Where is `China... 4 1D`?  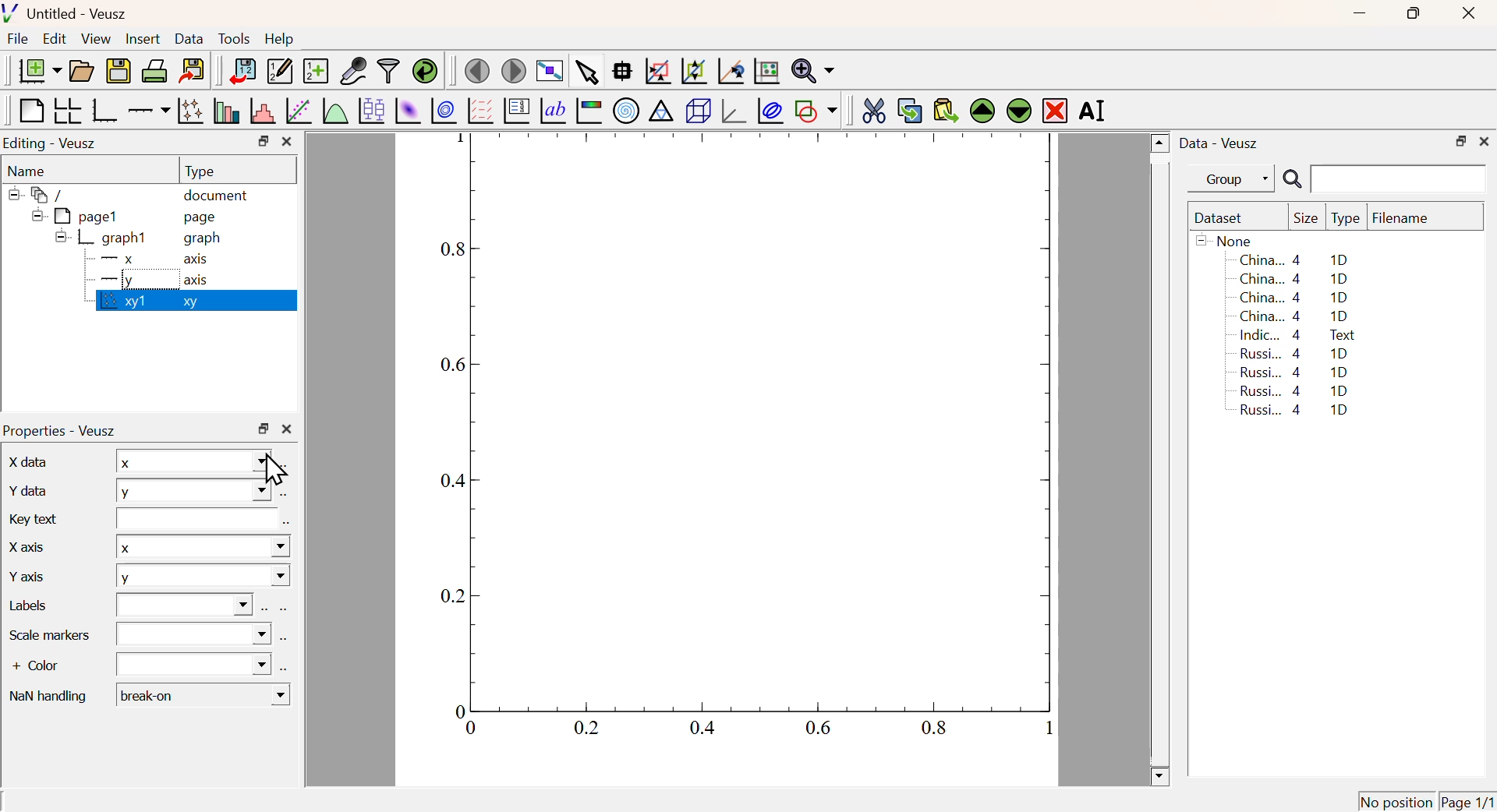 China... 4 1D is located at coordinates (1296, 298).